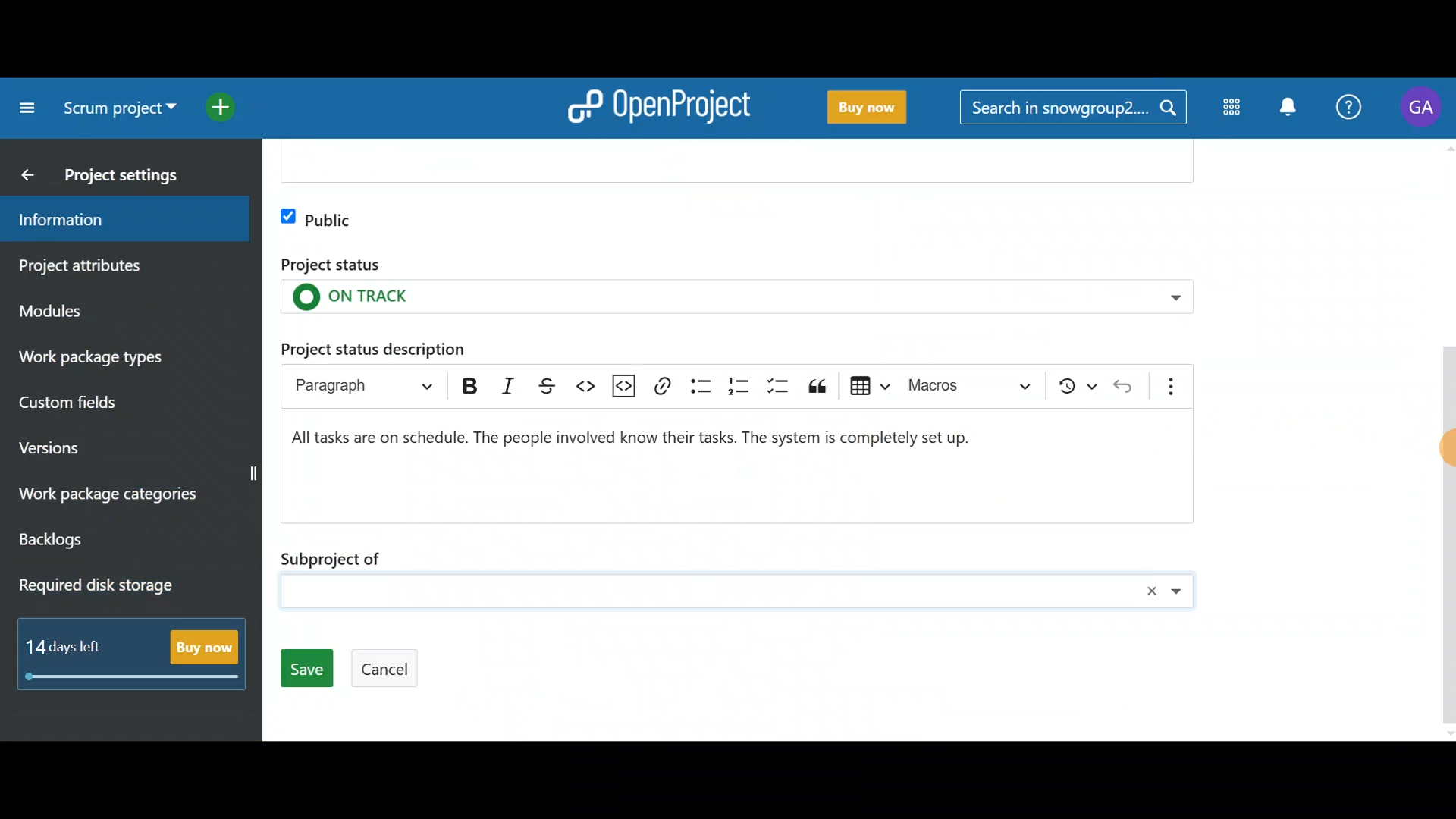 The height and width of the screenshot is (819, 1456). What do you see at coordinates (1072, 110) in the screenshot?
I see `Search bar` at bounding box center [1072, 110].